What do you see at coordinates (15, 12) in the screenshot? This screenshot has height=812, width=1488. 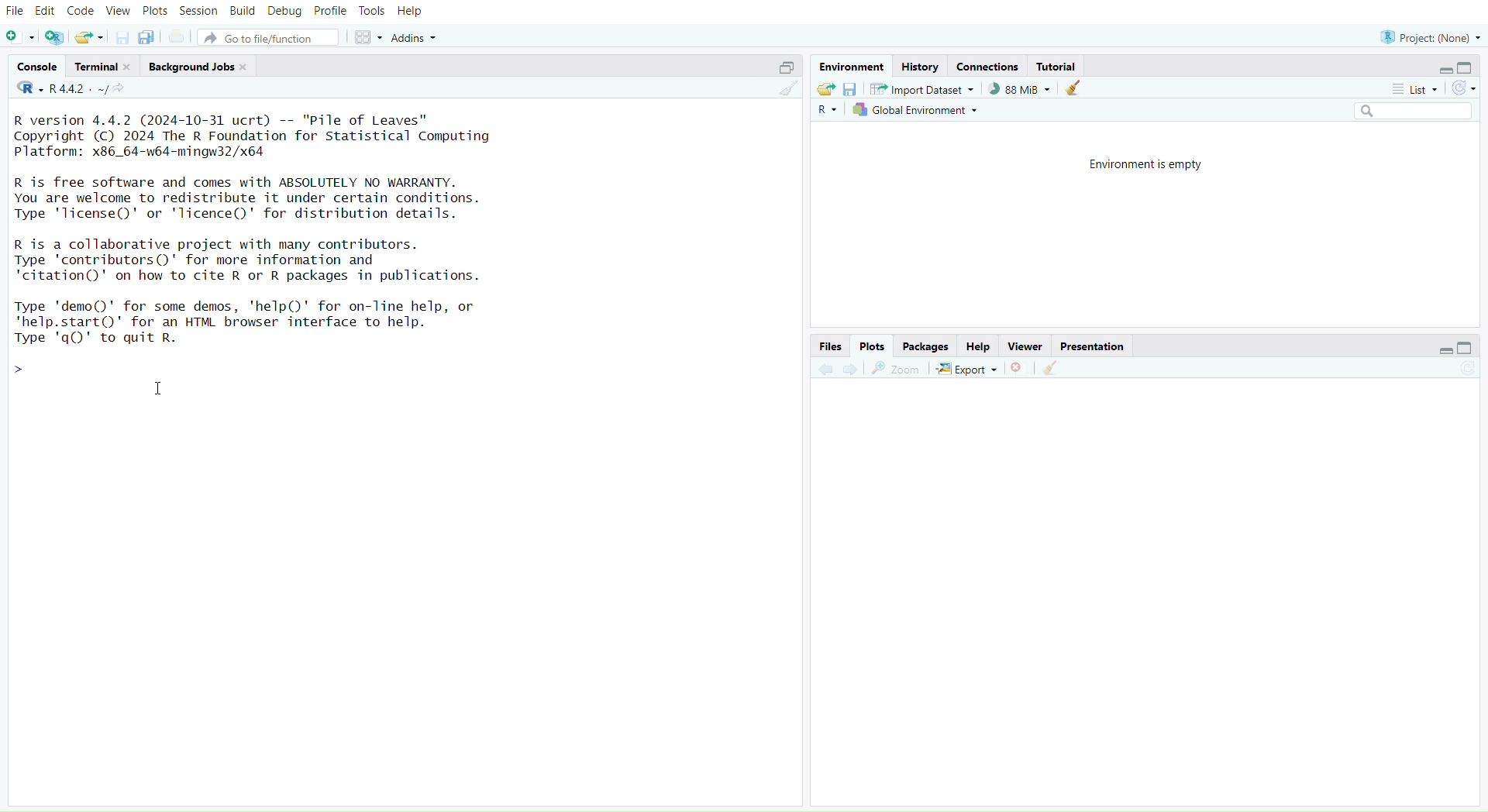 I see `file` at bounding box center [15, 12].